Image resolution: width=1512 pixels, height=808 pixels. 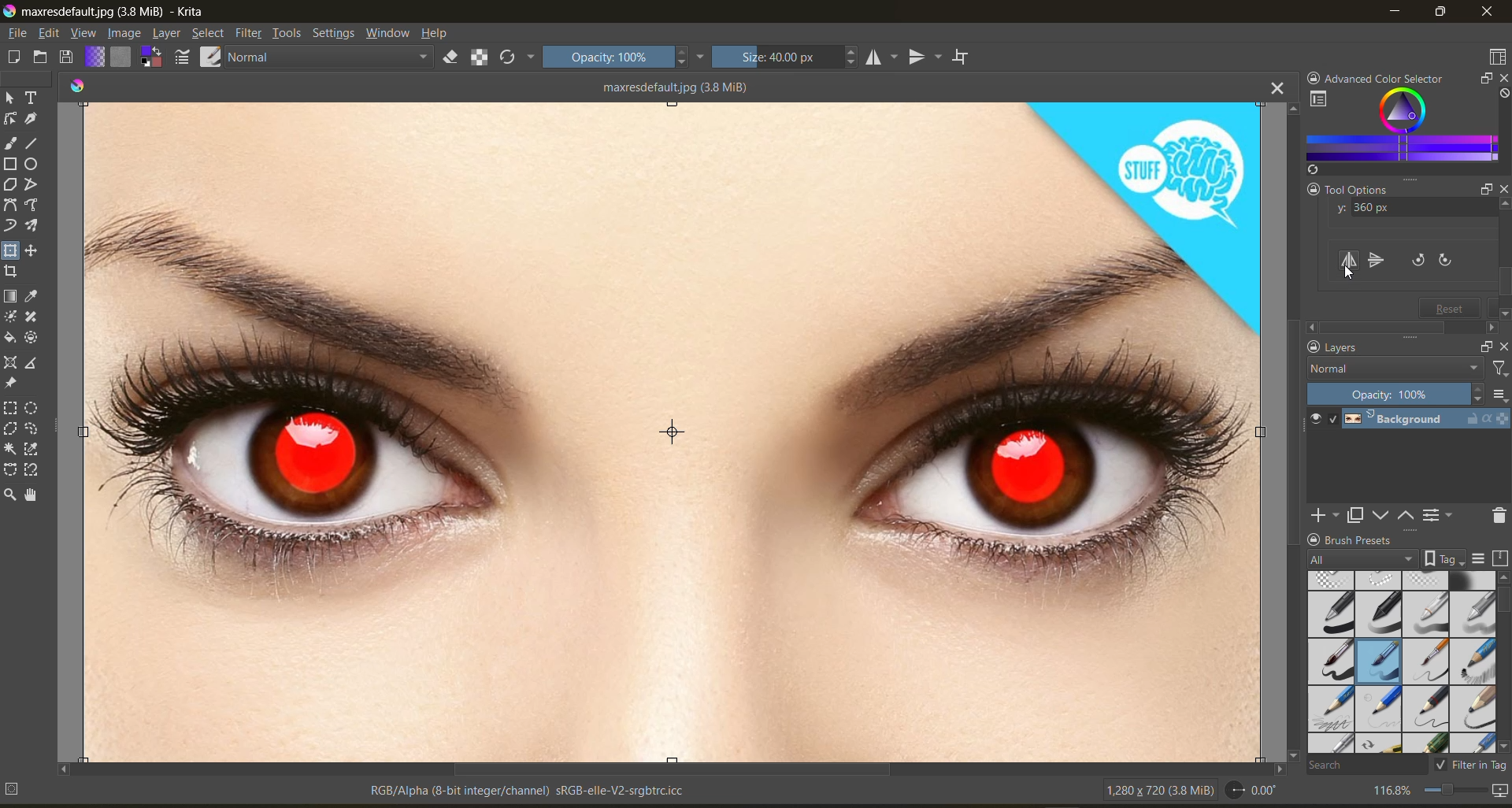 I want to click on flip canvas vertically, so click(x=1376, y=260).